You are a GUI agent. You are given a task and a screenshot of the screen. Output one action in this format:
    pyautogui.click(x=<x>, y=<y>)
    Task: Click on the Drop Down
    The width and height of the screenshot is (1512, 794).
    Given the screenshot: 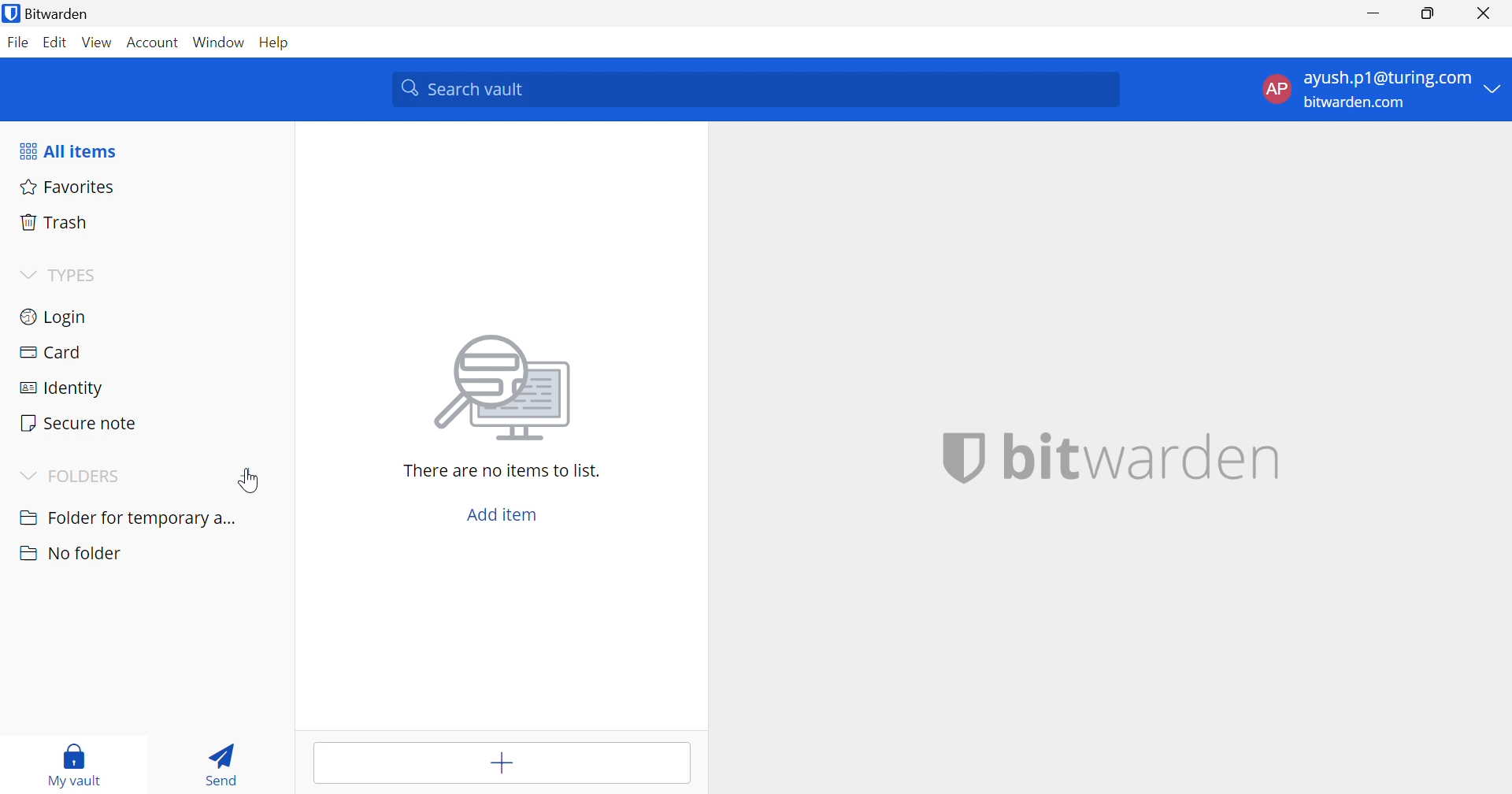 What is the action you would take?
    pyautogui.click(x=25, y=273)
    